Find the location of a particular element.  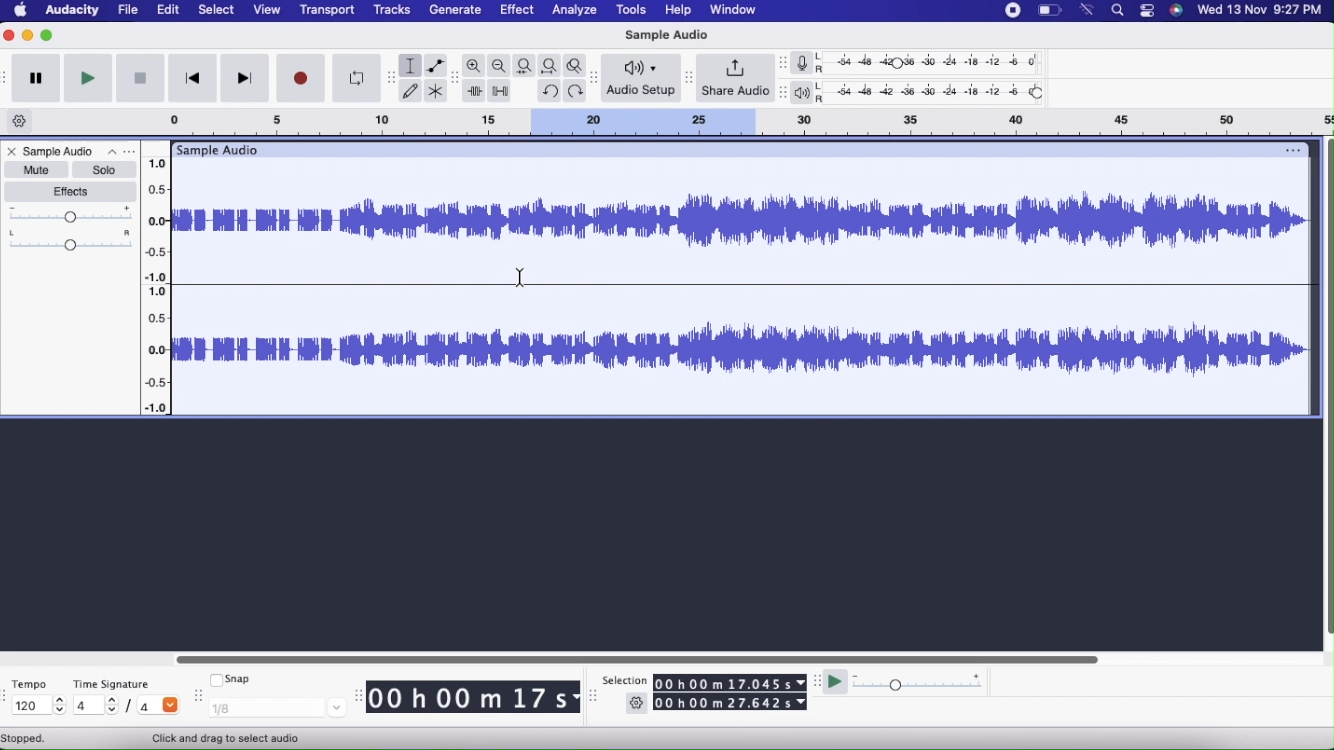

Slider is located at coordinates (635, 657).